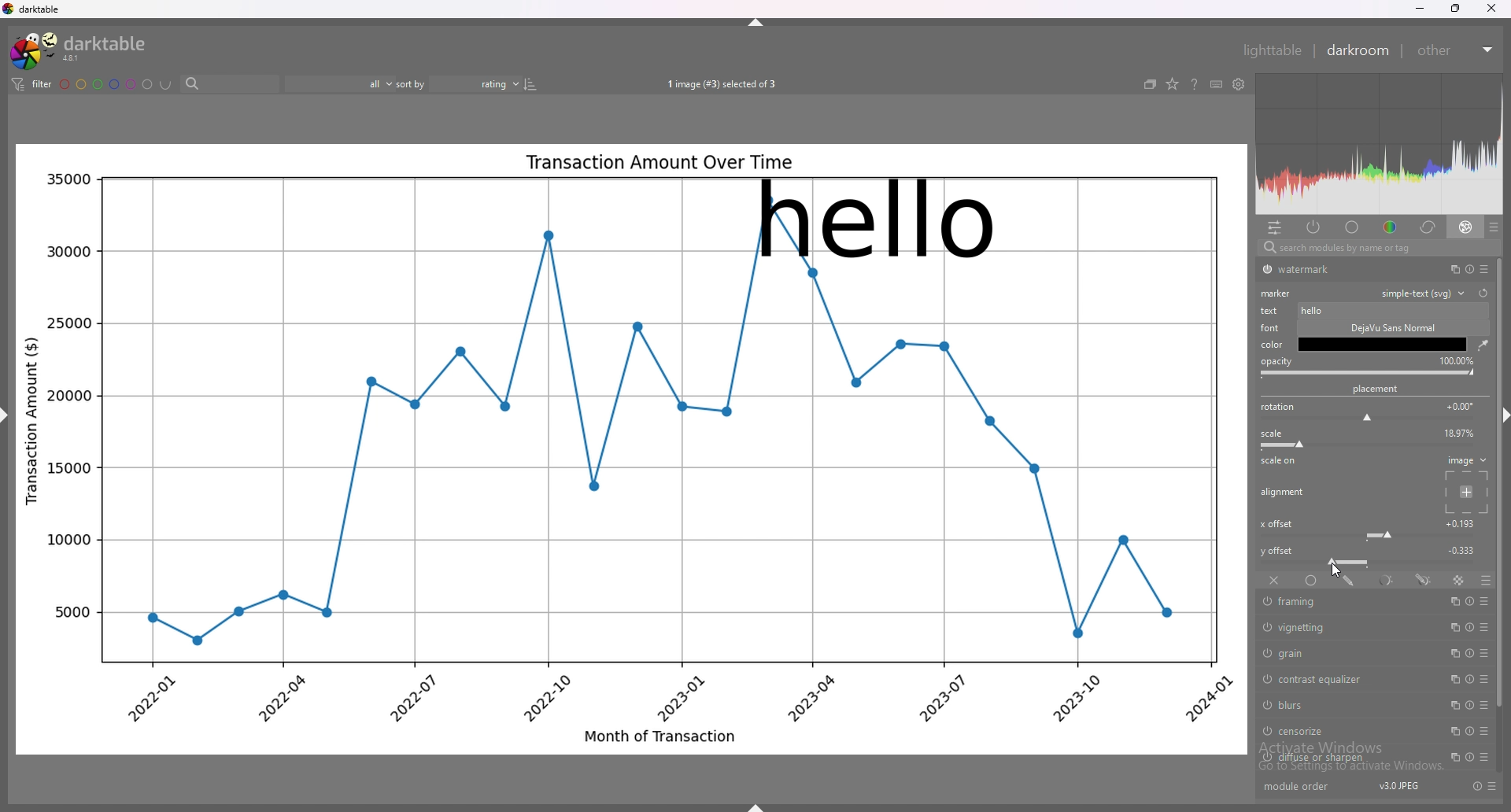 This screenshot has height=812, width=1511. I want to click on presets, so click(1486, 628).